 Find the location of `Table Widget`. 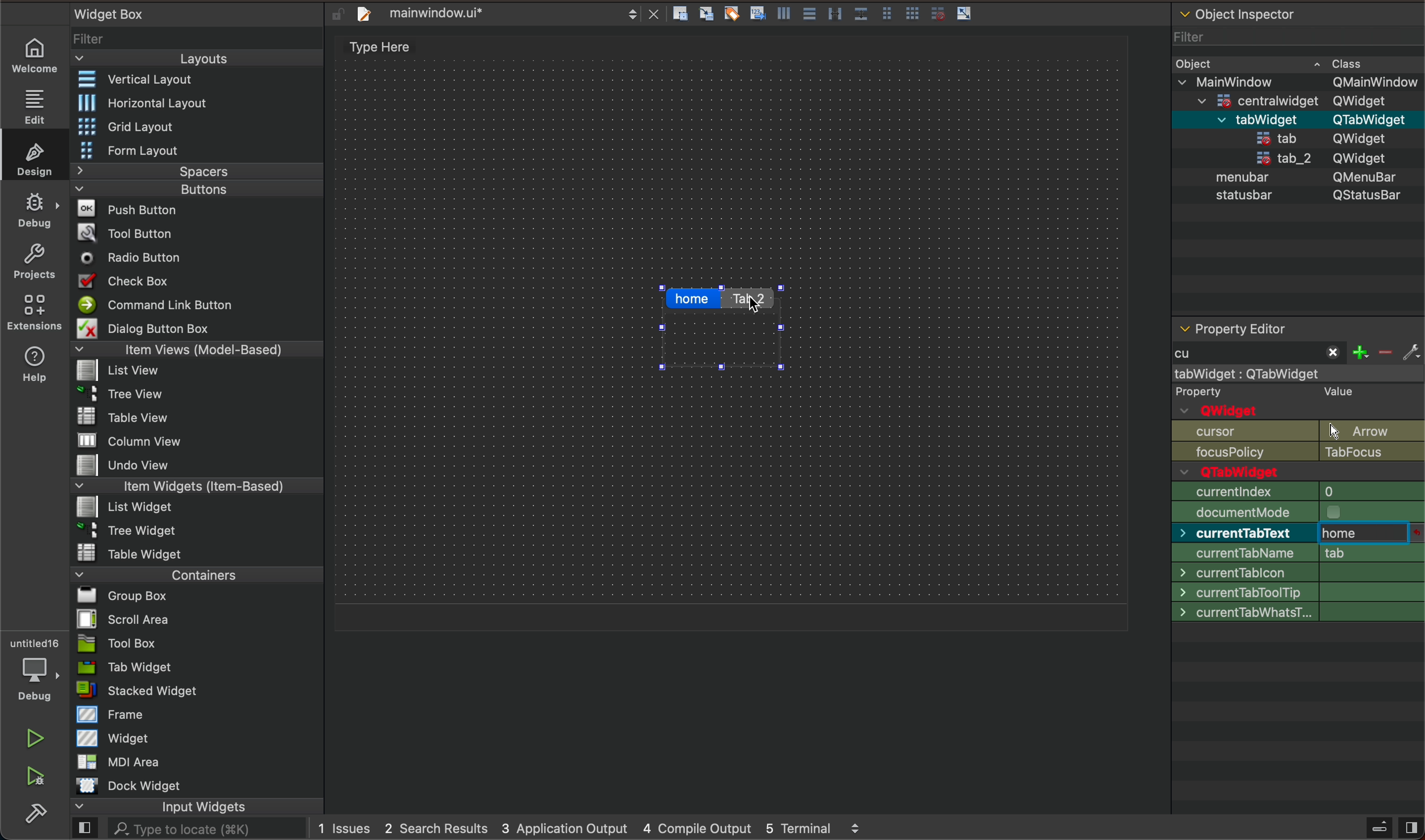

Table Widget is located at coordinates (123, 552).